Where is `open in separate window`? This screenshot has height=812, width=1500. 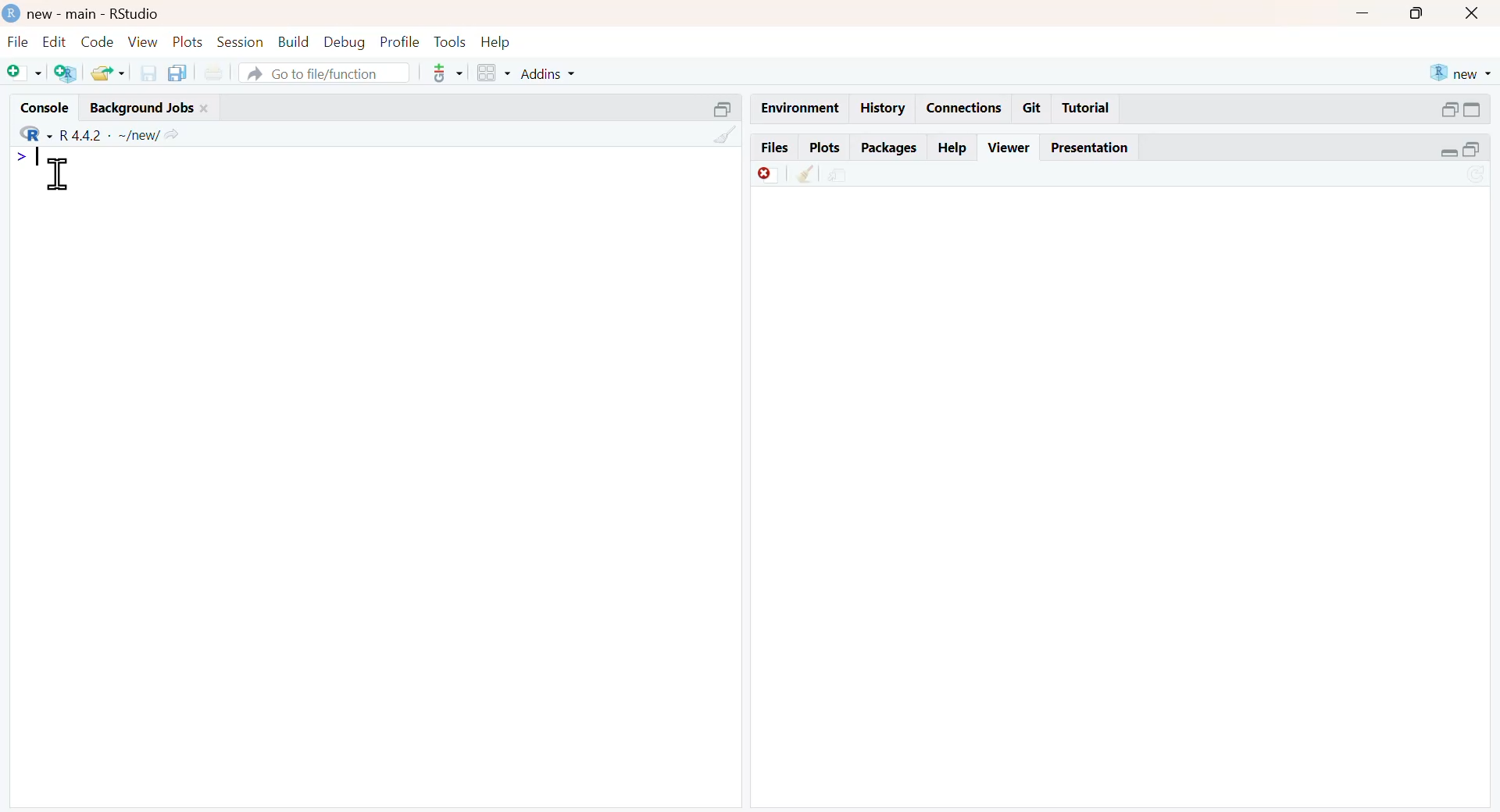 open in separate window is located at coordinates (1471, 150).